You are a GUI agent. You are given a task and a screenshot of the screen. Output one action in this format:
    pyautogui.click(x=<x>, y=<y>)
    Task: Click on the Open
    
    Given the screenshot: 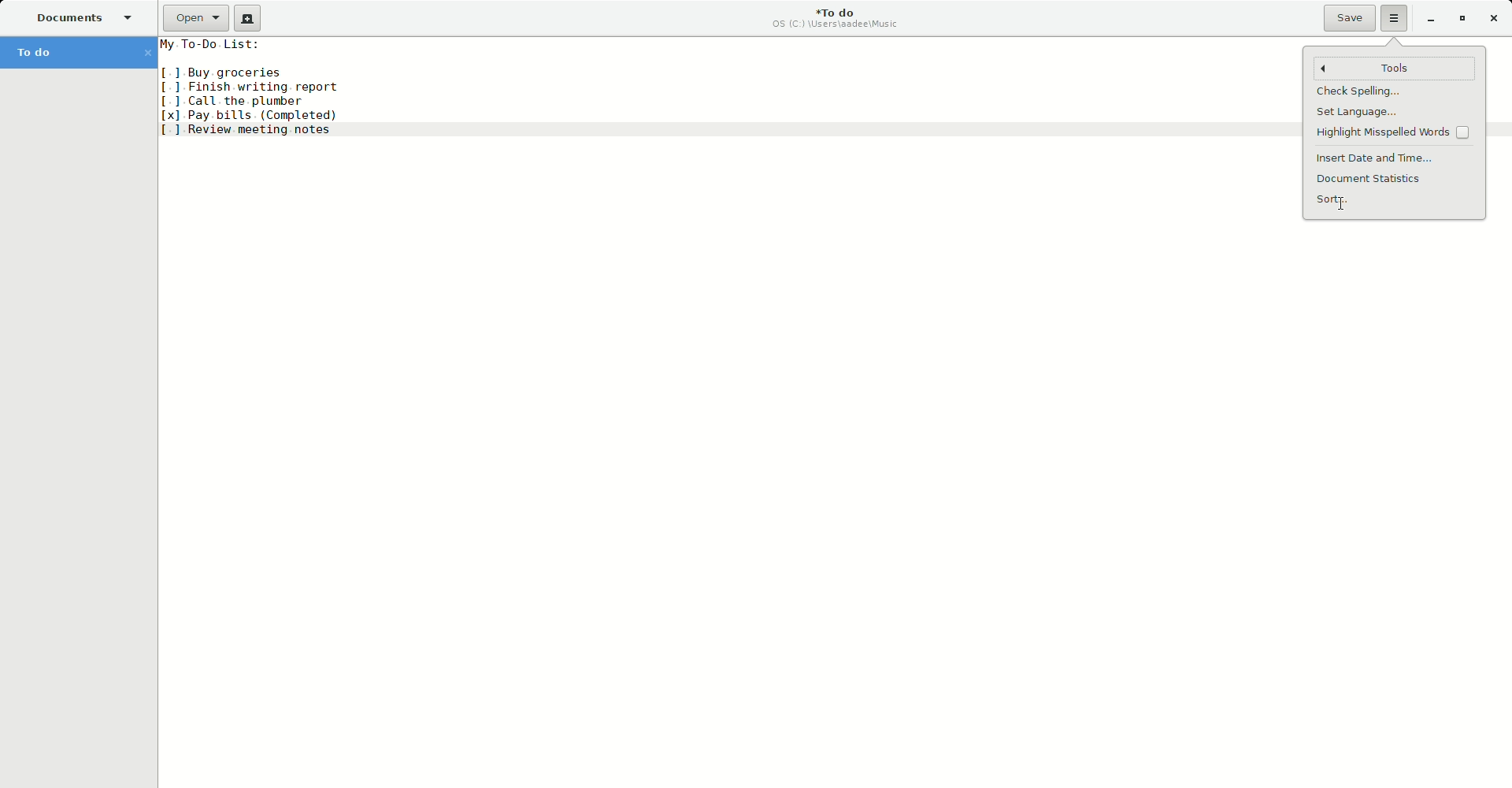 What is the action you would take?
    pyautogui.click(x=194, y=18)
    